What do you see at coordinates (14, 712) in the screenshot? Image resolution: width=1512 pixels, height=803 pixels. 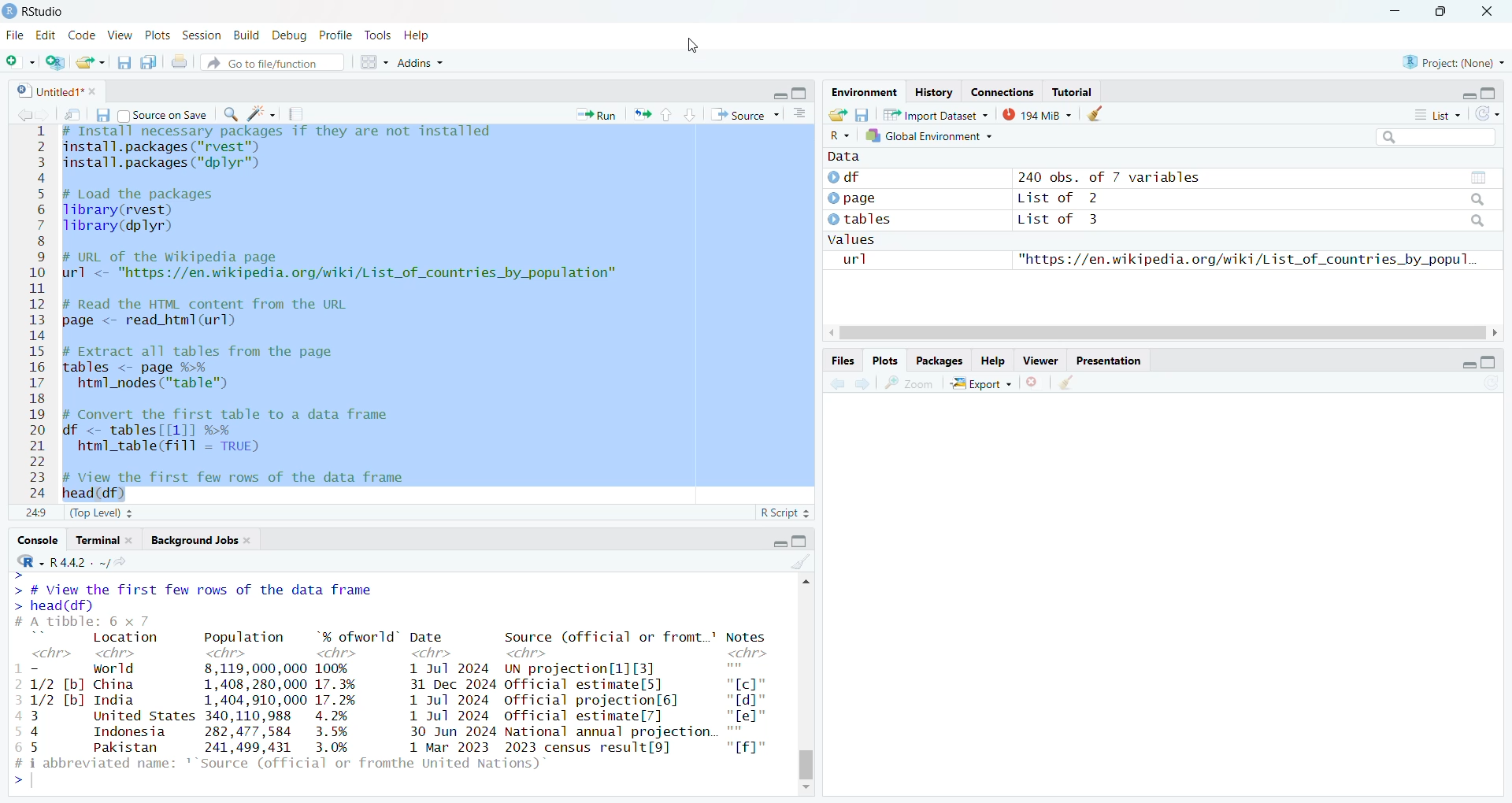 I see `line numbering` at bounding box center [14, 712].